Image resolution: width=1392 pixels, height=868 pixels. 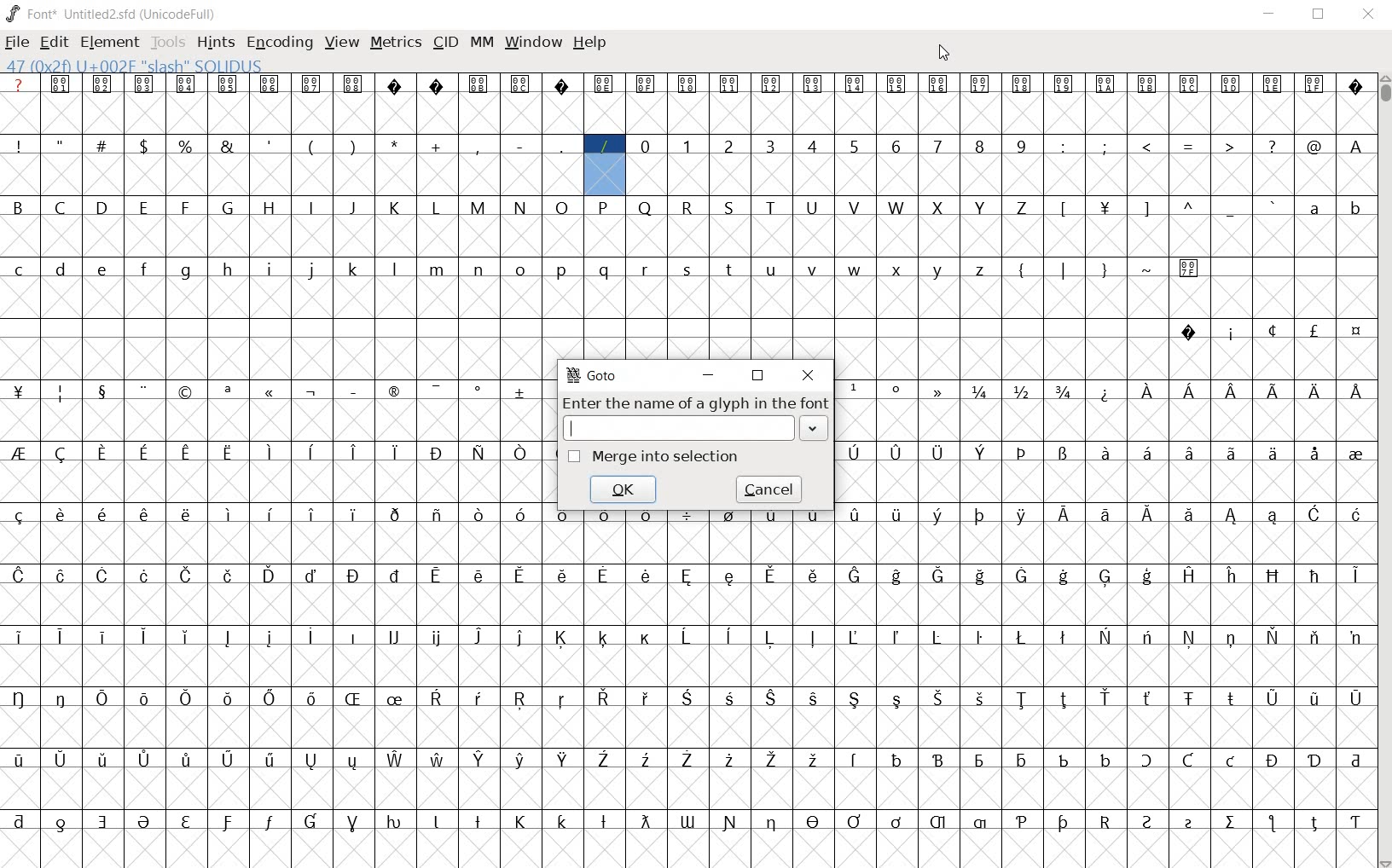 What do you see at coordinates (1189, 391) in the screenshot?
I see `glyph` at bounding box center [1189, 391].